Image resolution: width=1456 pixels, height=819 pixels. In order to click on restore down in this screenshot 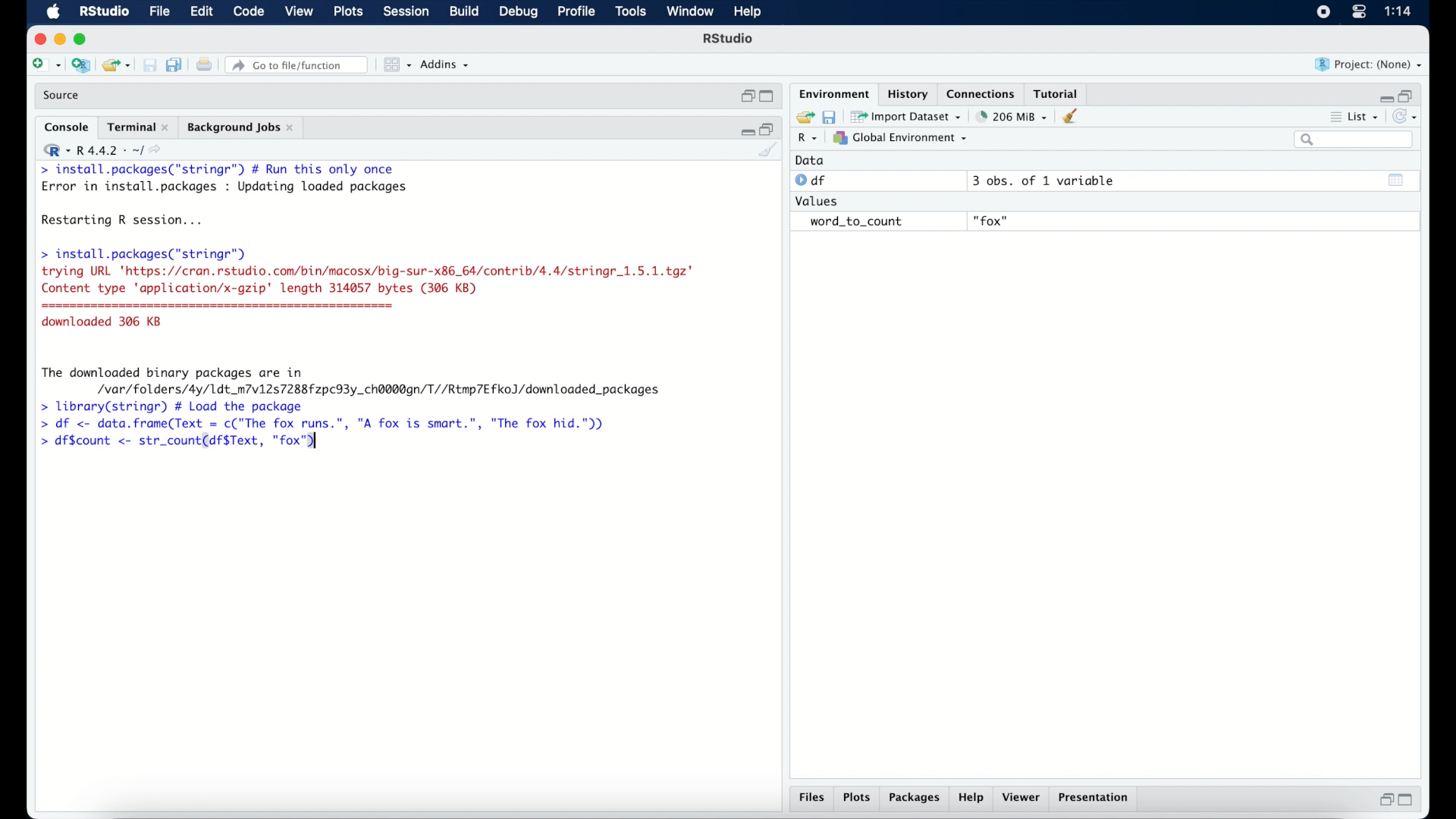, I will do `click(1384, 799)`.